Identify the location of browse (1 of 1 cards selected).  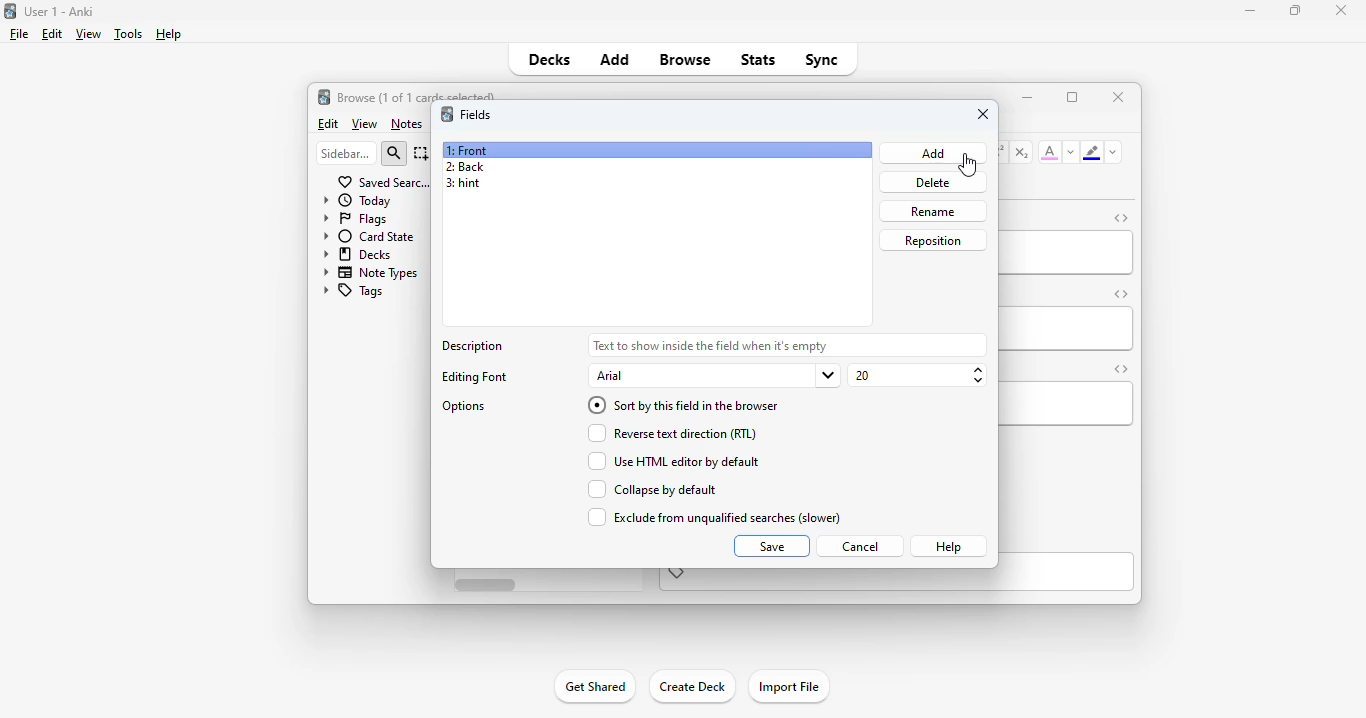
(417, 95).